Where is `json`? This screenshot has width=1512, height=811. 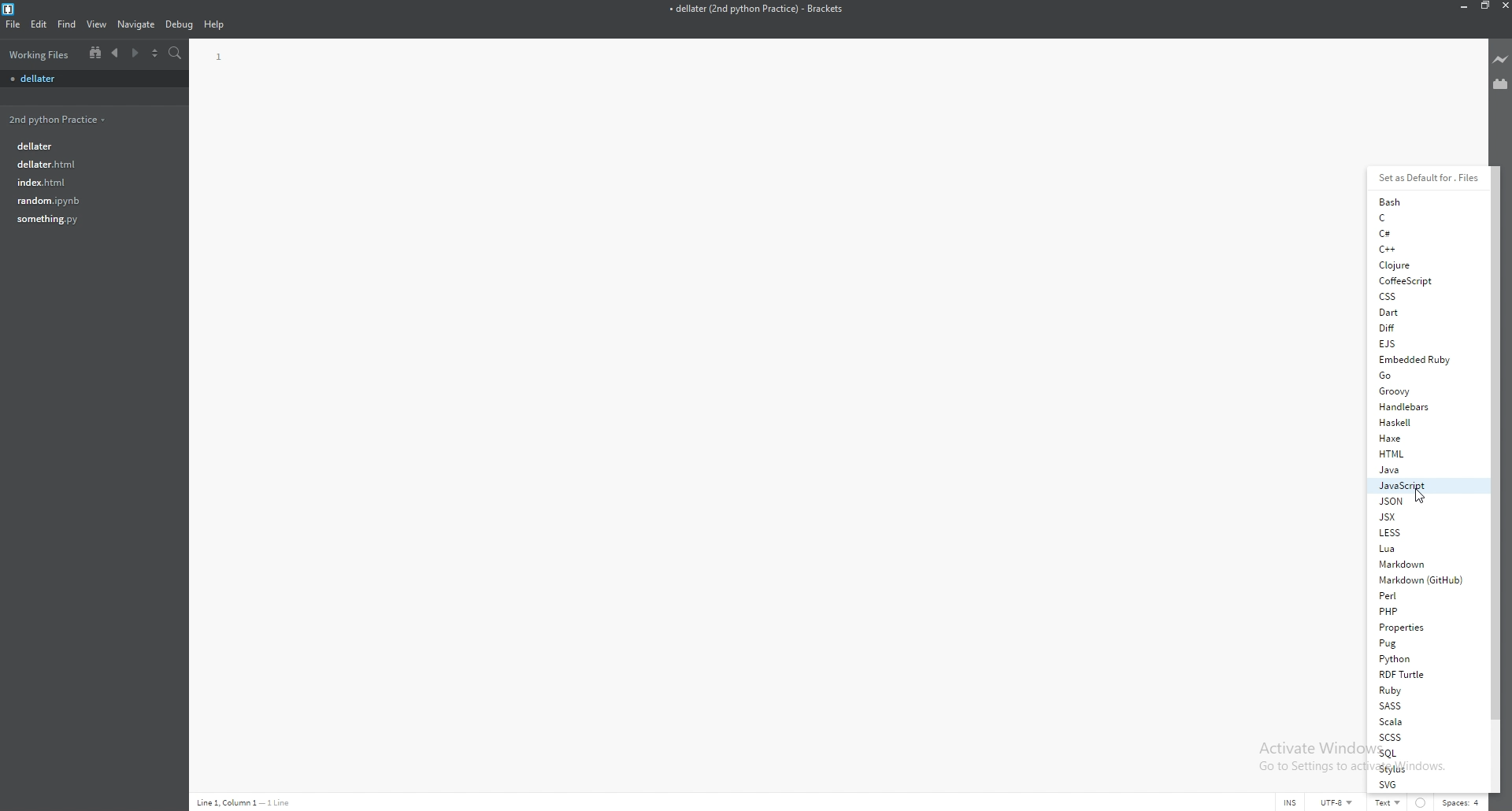
json is located at coordinates (1423, 501).